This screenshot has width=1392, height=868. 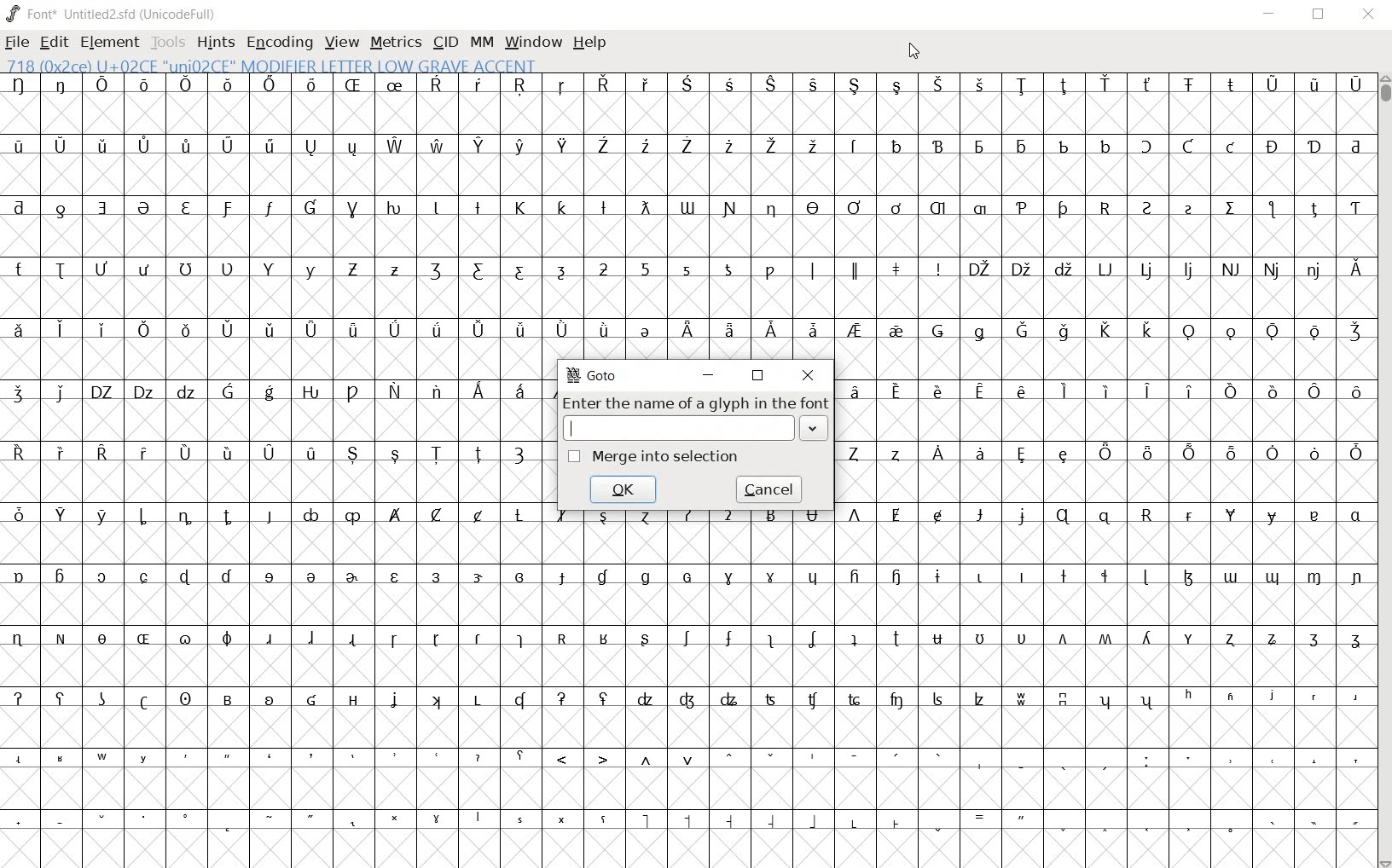 What do you see at coordinates (531, 42) in the screenshot?
I see `window` at bounding box center [531, 42].